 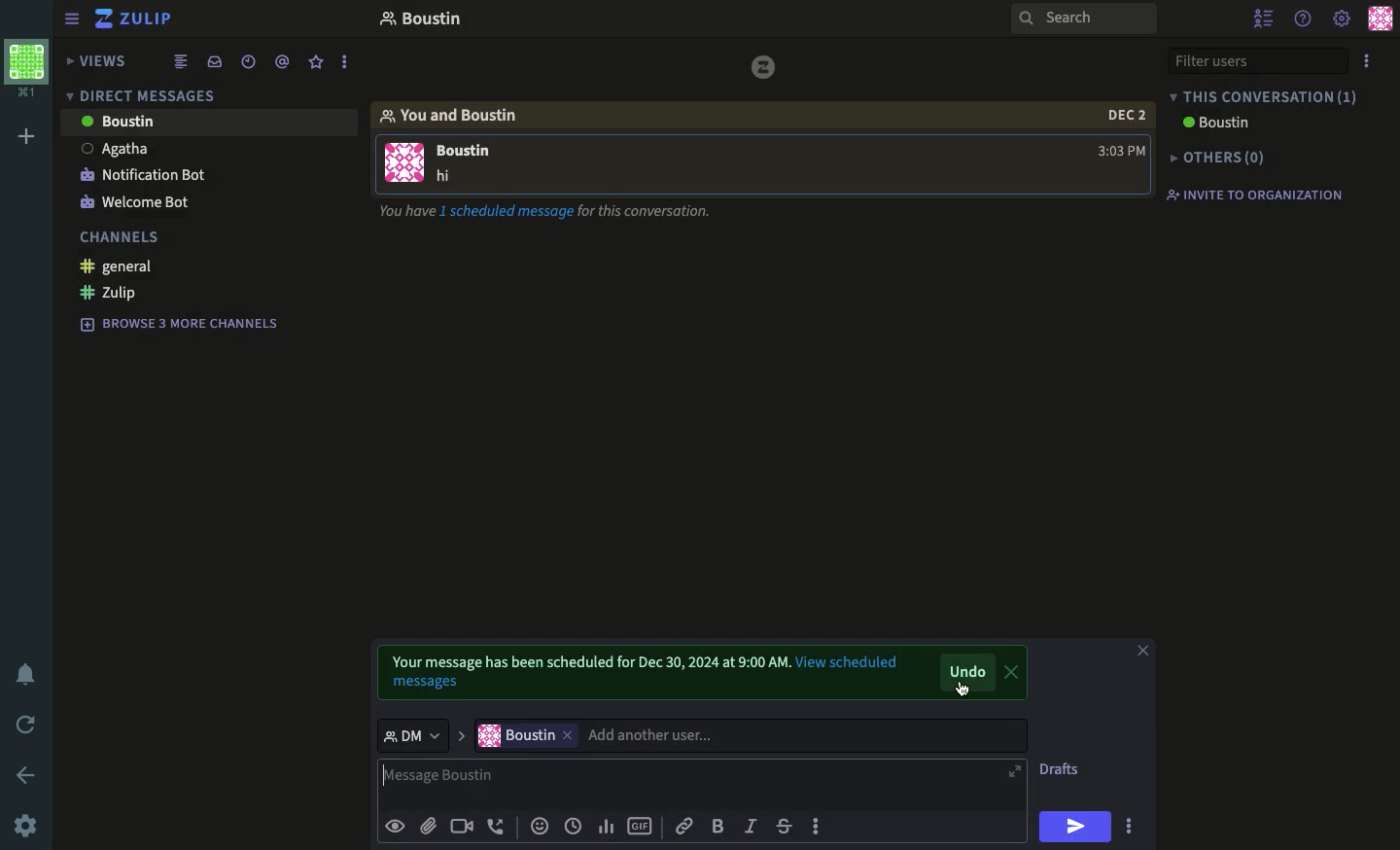 What do you see at coordinates (767, 71) in the screenshot?
I see `zulip` at bounding box center [767, 71].